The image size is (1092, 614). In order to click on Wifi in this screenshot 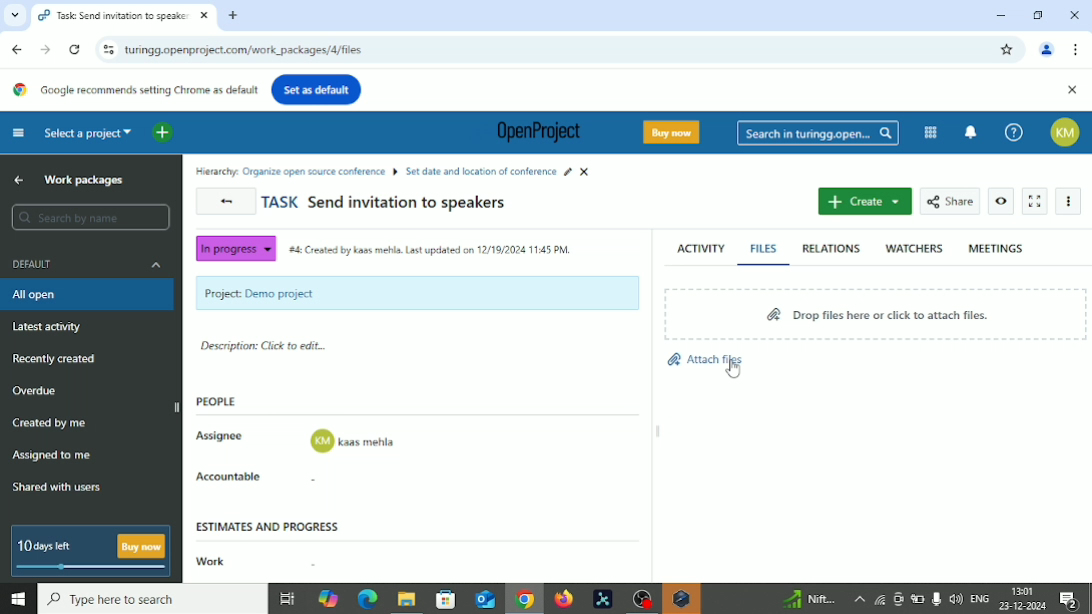, I will do `click(877, 599)`.